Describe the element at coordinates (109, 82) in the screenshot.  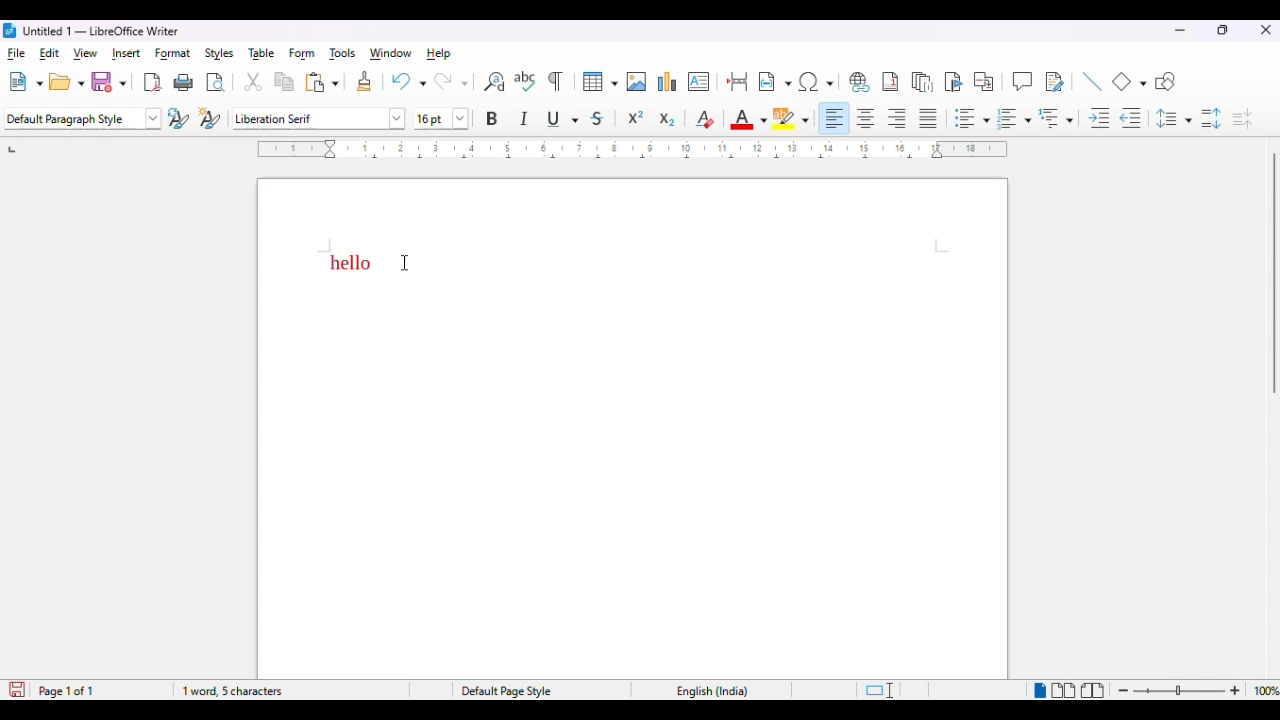
I see `save` at that location.